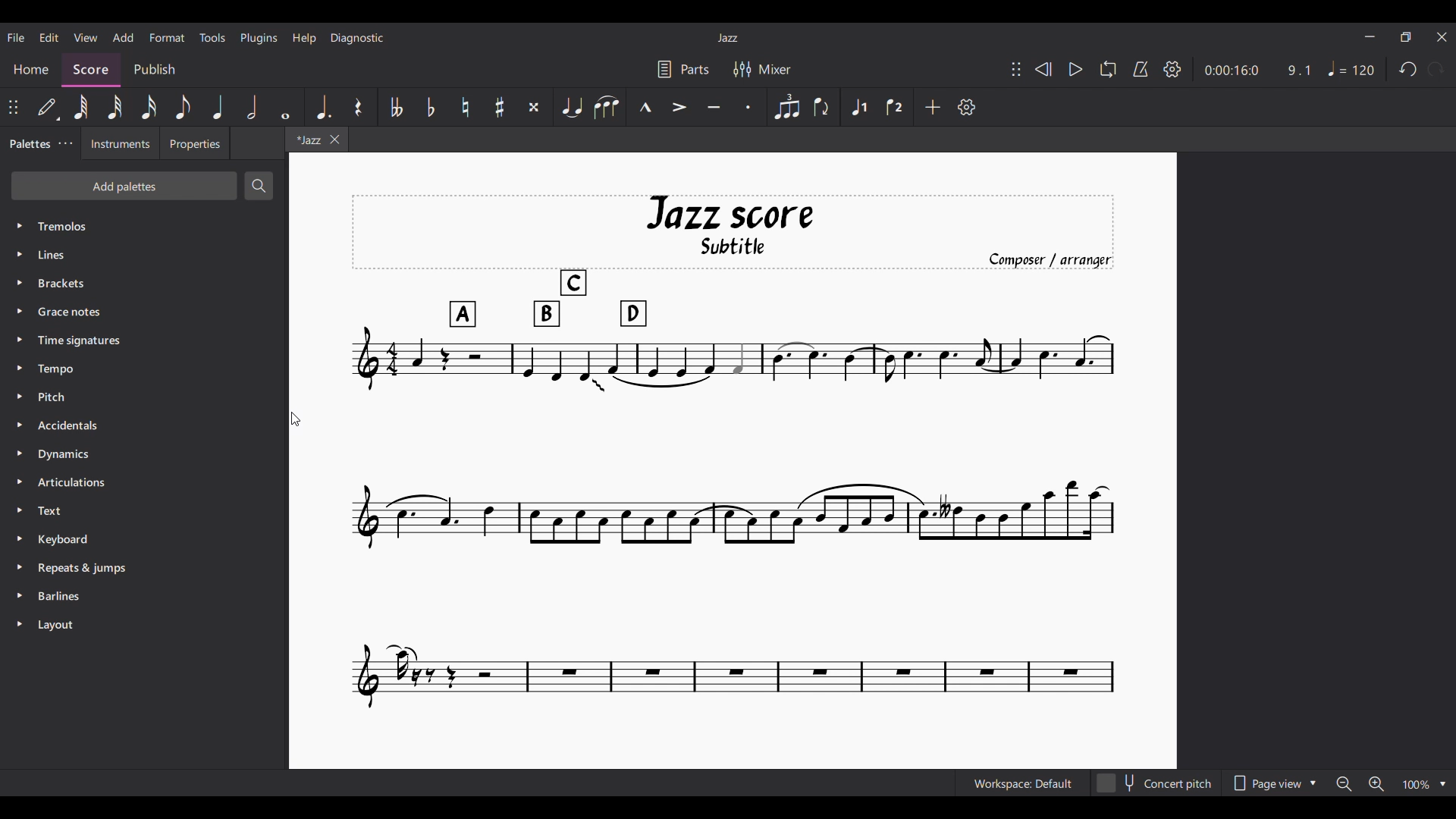  I want to click on Dynamics, so click(143, 454).